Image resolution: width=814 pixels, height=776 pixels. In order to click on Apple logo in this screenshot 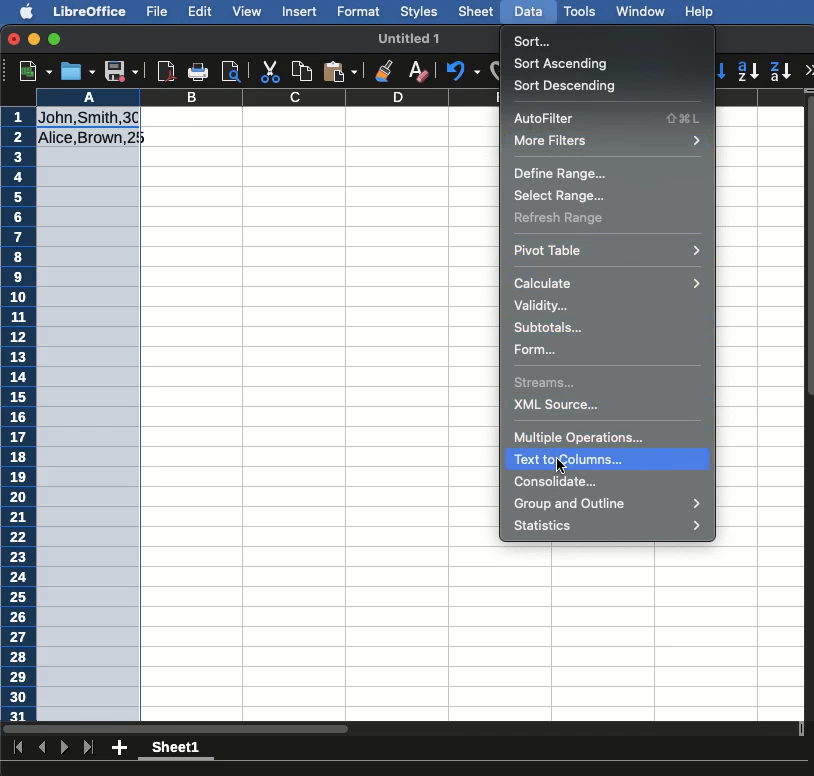, I will do `click(29, 11)`.